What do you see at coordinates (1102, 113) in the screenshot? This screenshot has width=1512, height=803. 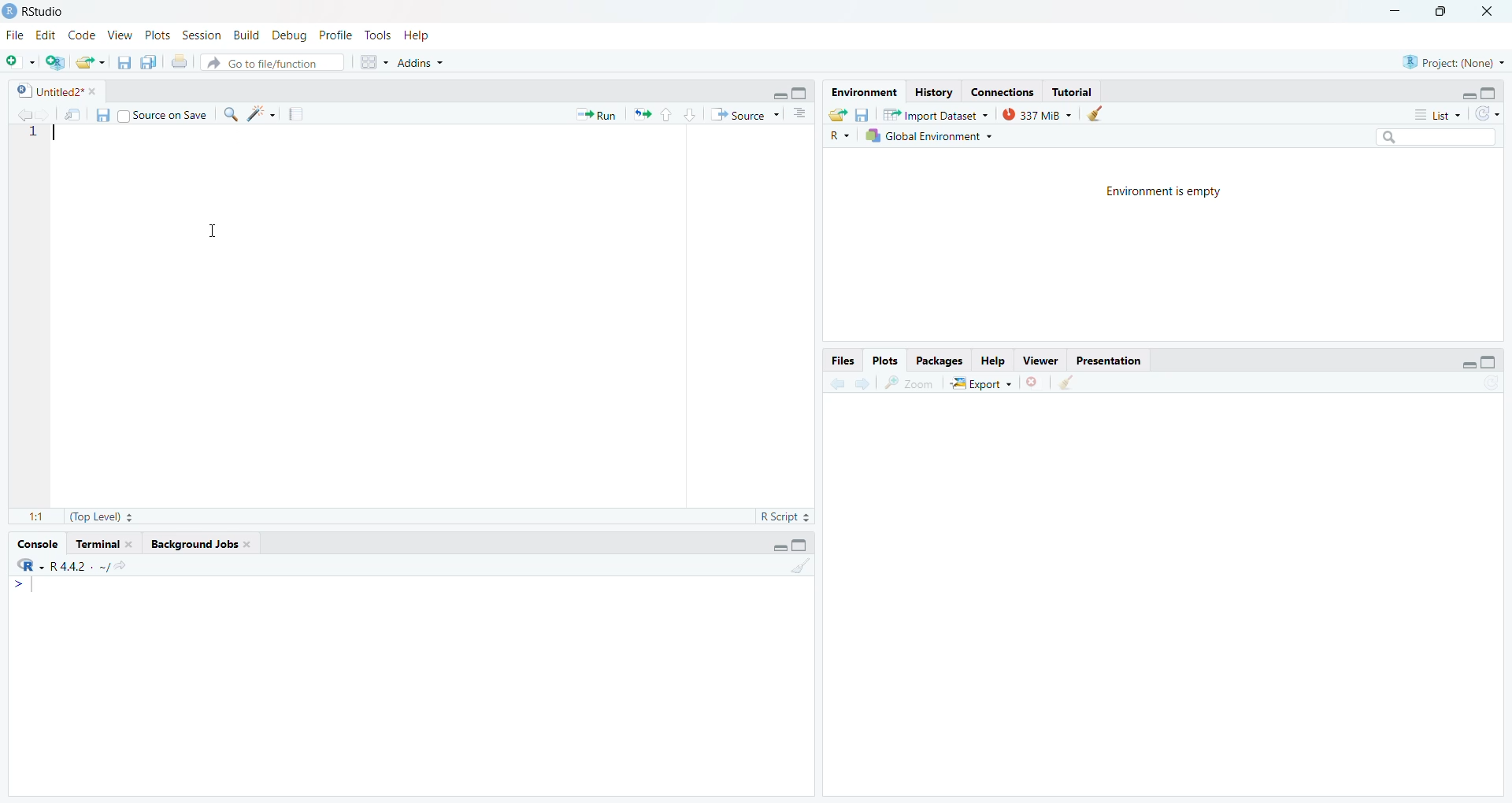 I see `clear history` at bounding box center [1102, 113].